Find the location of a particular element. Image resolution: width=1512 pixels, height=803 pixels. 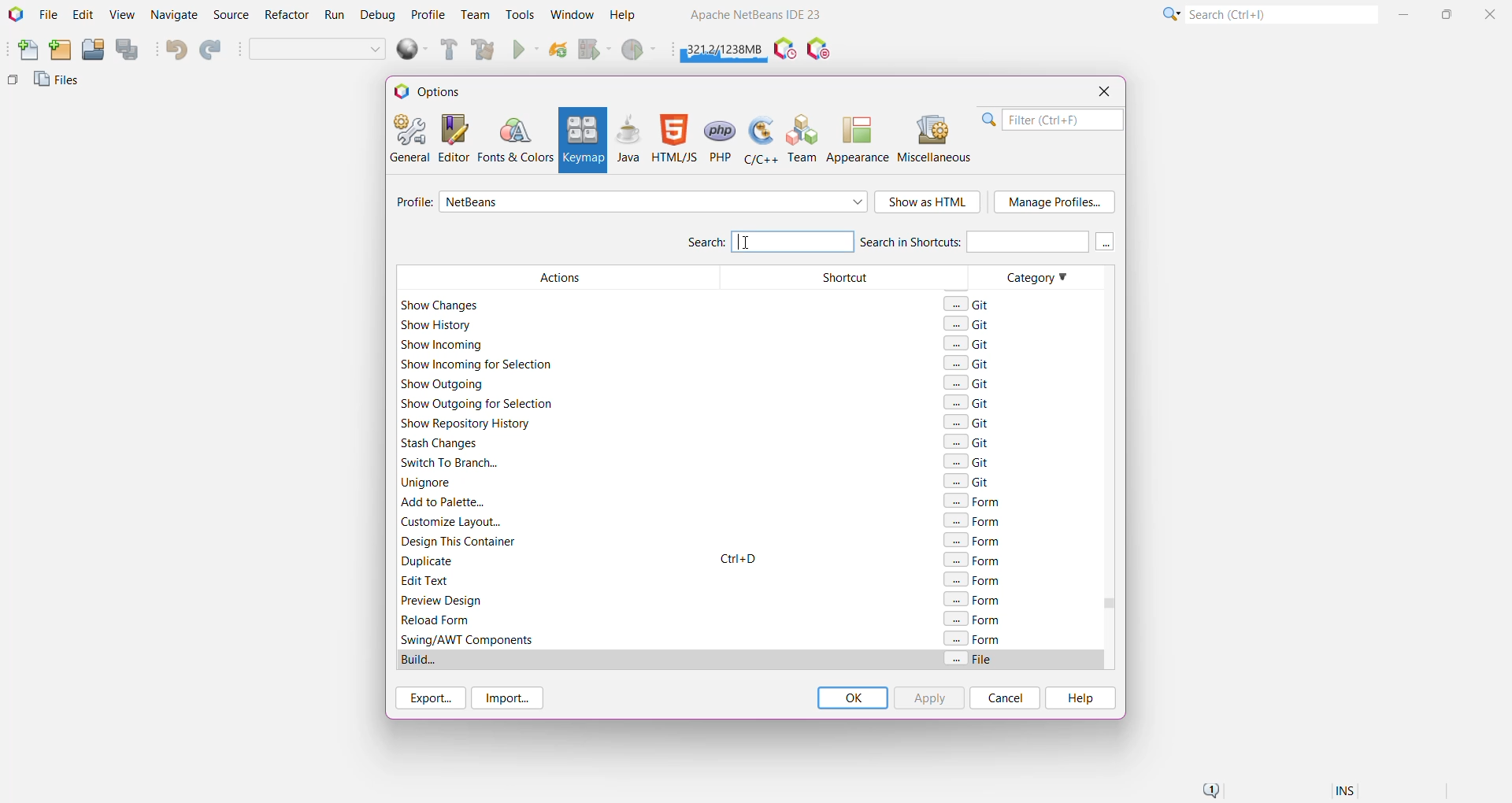

Notifications is located at coordinates (1210, 791).